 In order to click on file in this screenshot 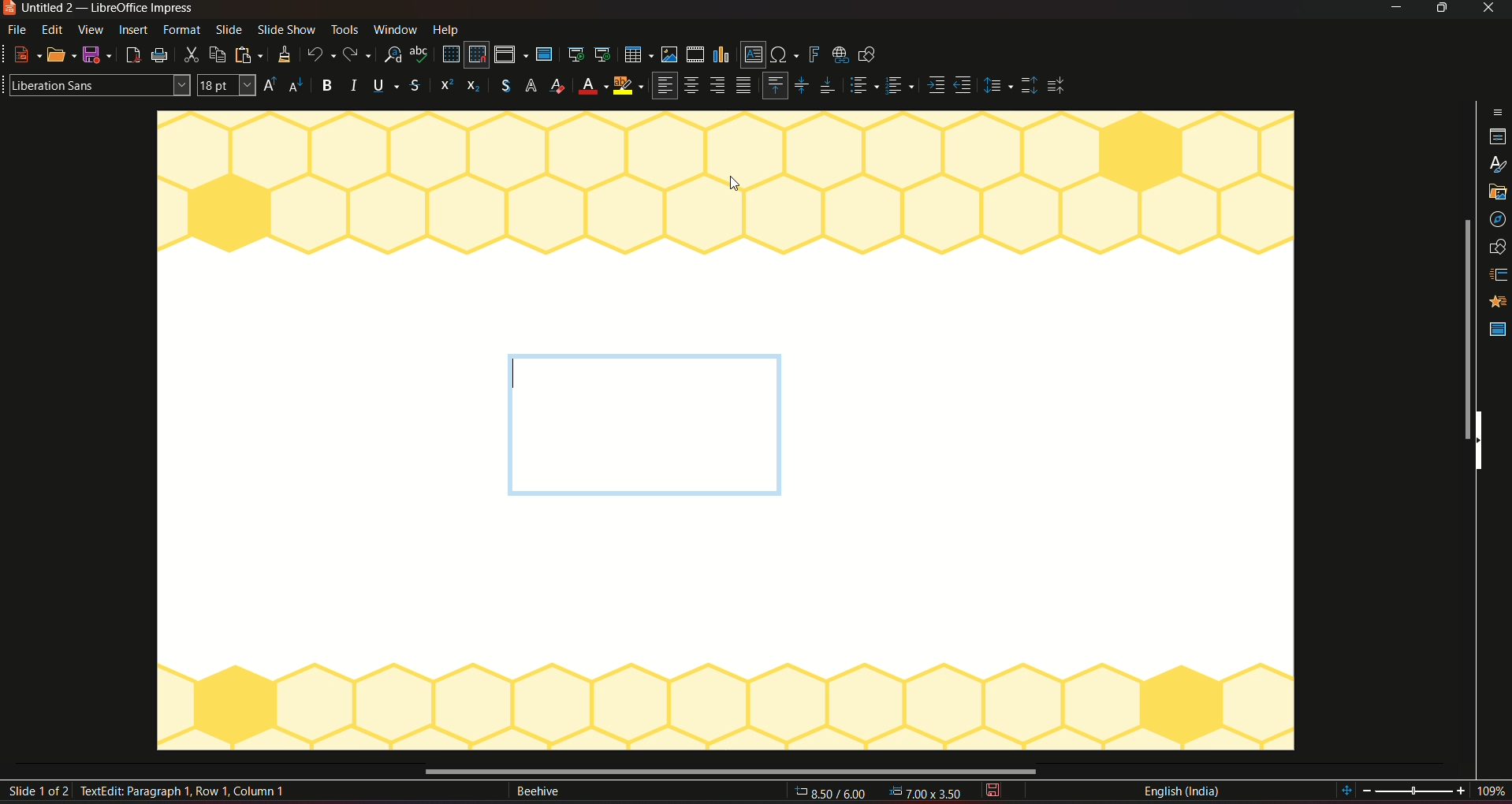, I will do `click(20, 31)`.